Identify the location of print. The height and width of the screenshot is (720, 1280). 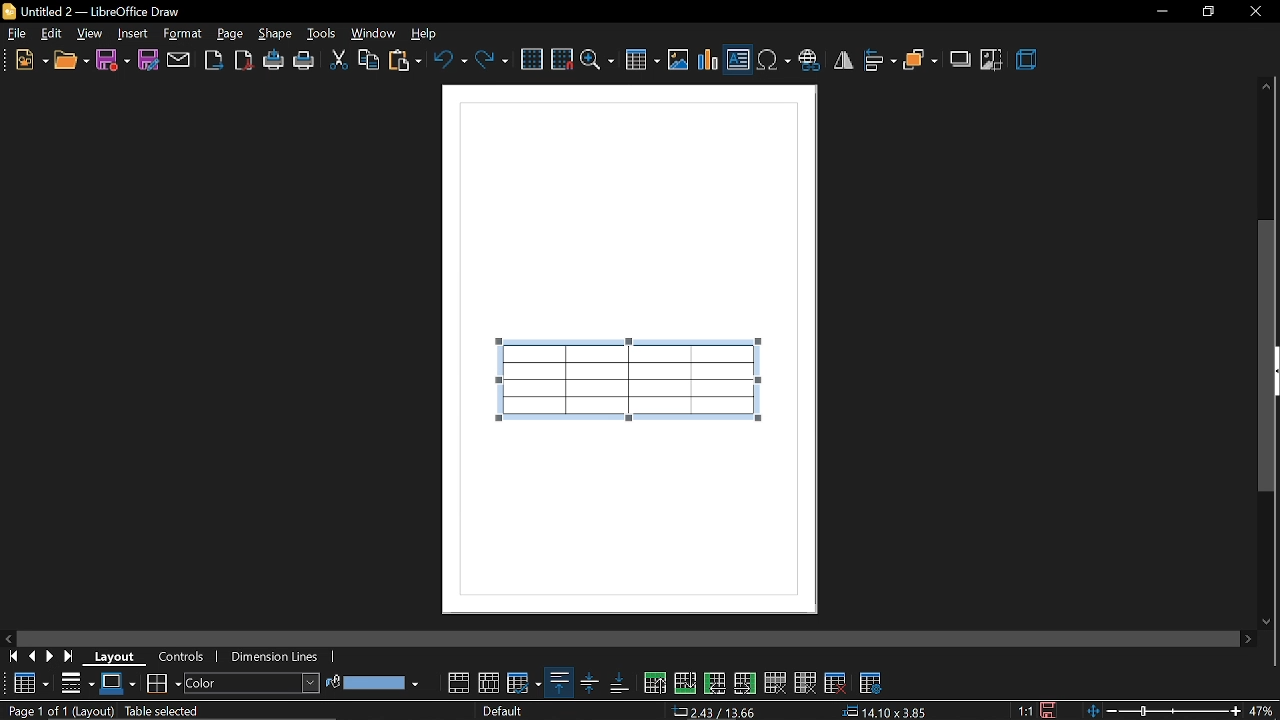
(305, 62).